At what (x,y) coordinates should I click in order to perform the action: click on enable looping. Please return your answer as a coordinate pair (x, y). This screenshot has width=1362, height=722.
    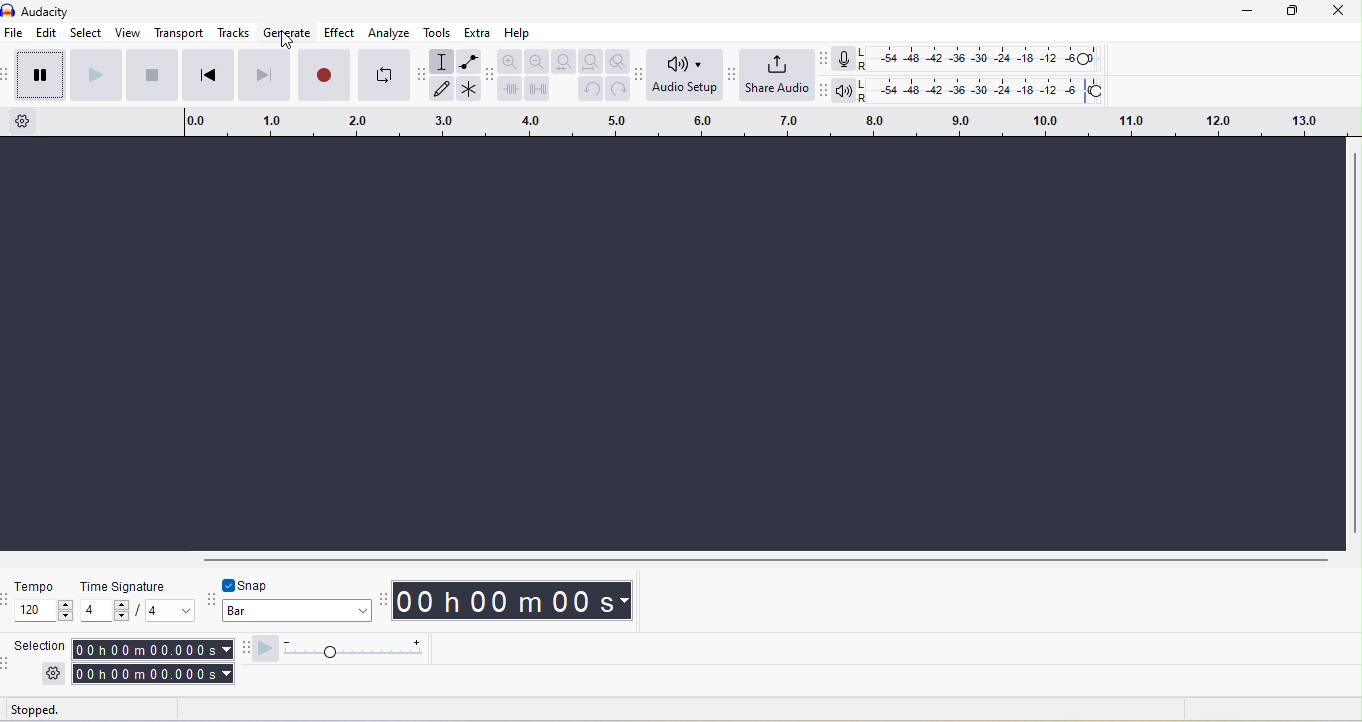
    Looking at the image, I should click on (384, 73).